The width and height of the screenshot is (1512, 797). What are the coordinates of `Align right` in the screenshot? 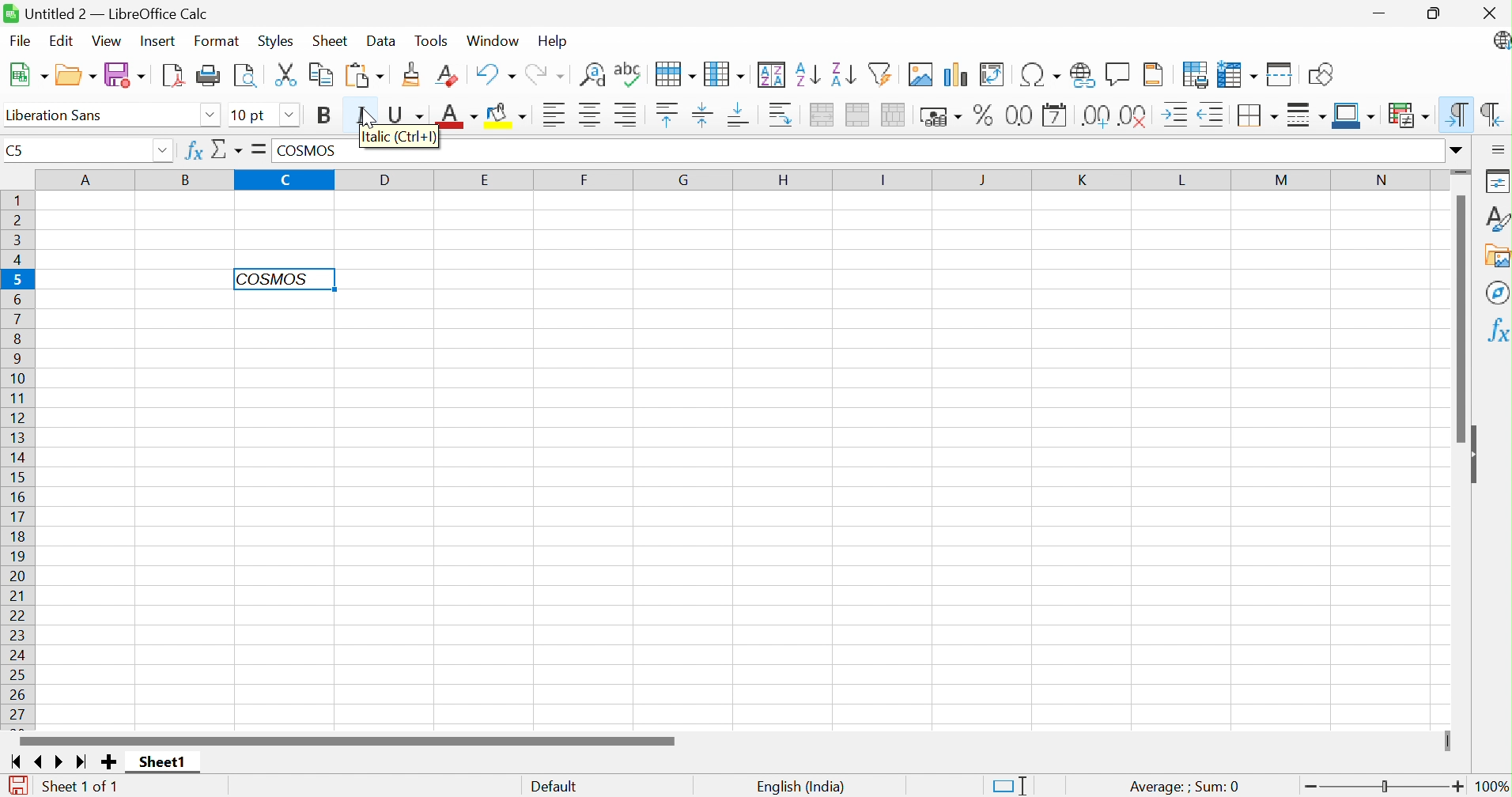 It's located at (625, 113).